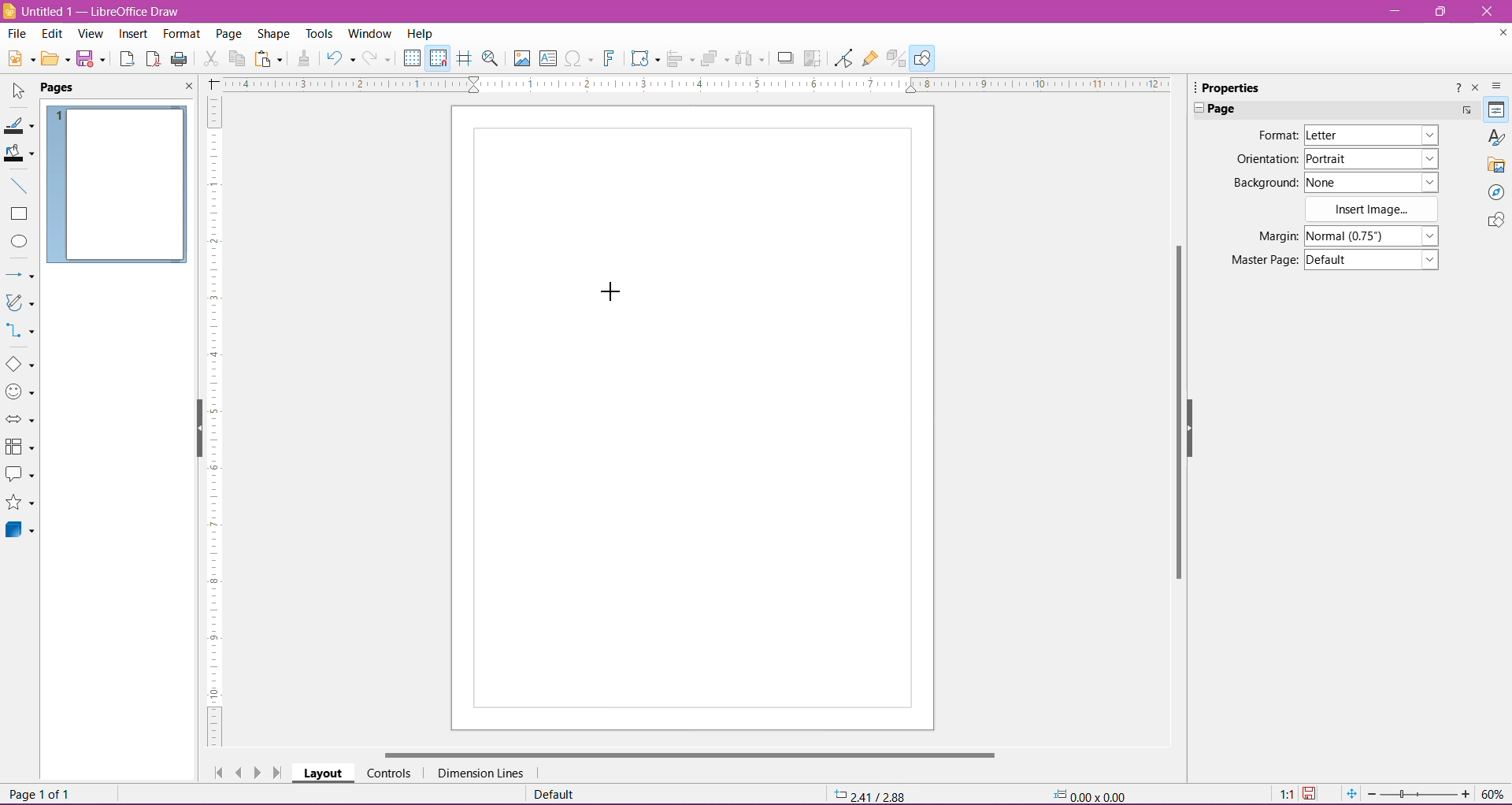  I want to click on Close Sidebar Deck, so click(1475, 88).